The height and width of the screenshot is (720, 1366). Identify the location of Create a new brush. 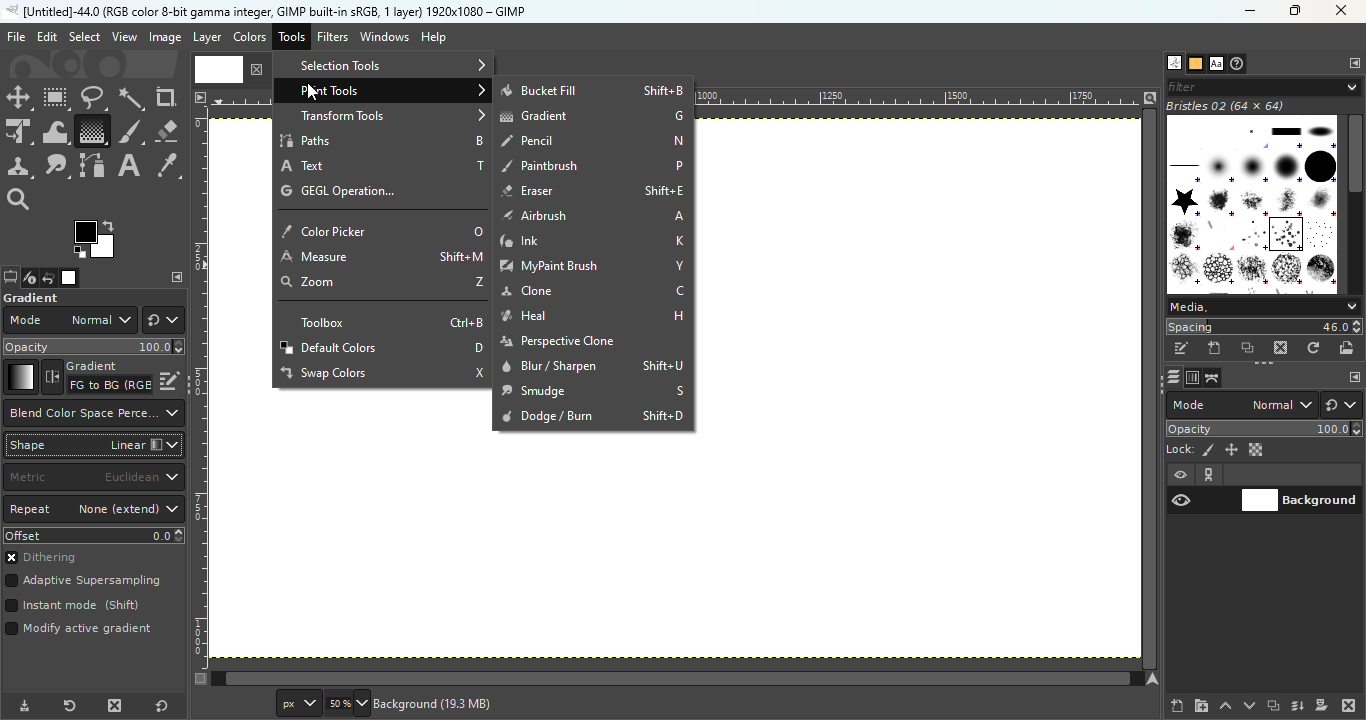
(1216, 348).